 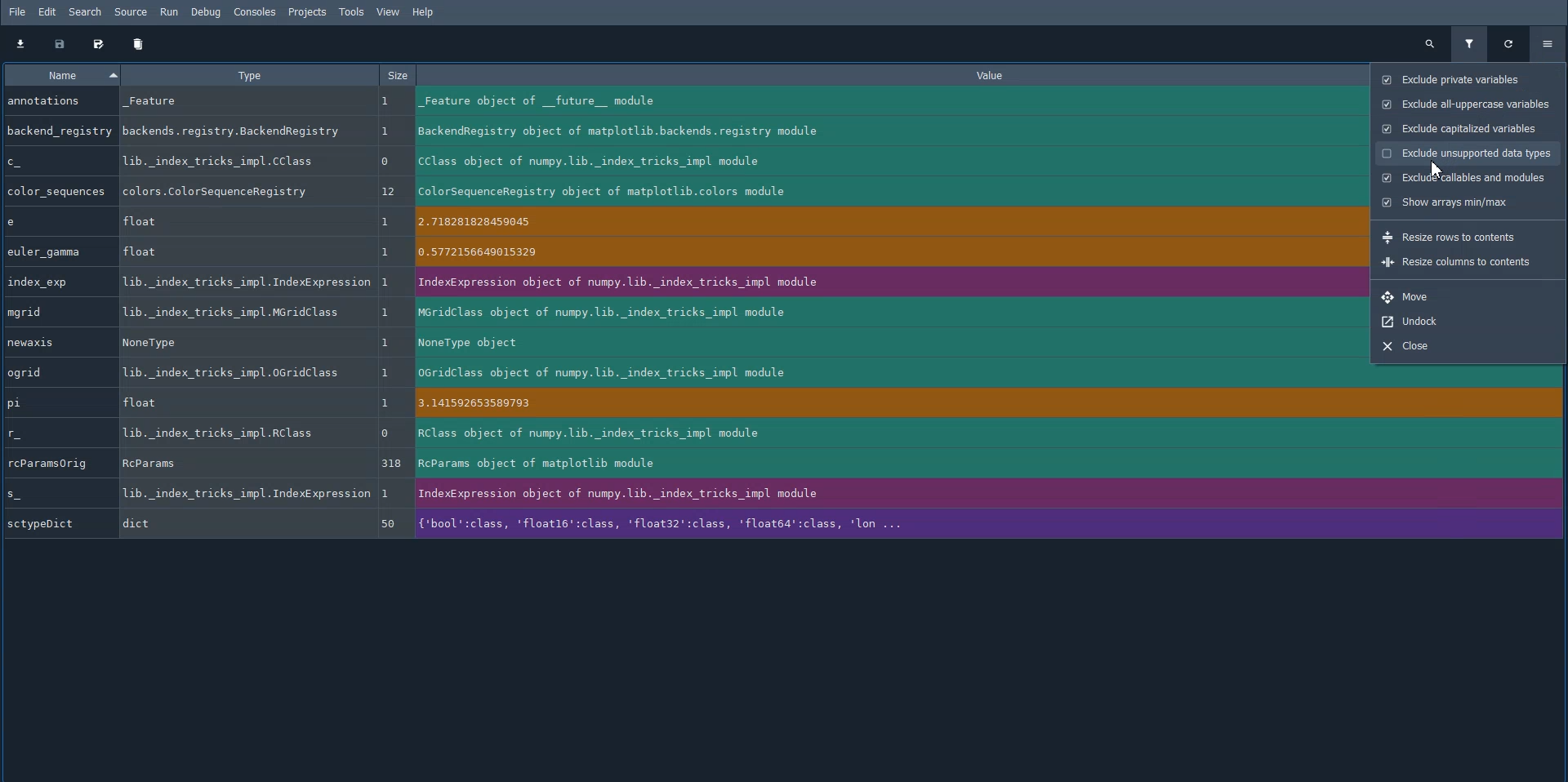 What do you see at coordinates (56, 190) in the screenshot?
I see `color_seuence` at bounding box center [56, 190].